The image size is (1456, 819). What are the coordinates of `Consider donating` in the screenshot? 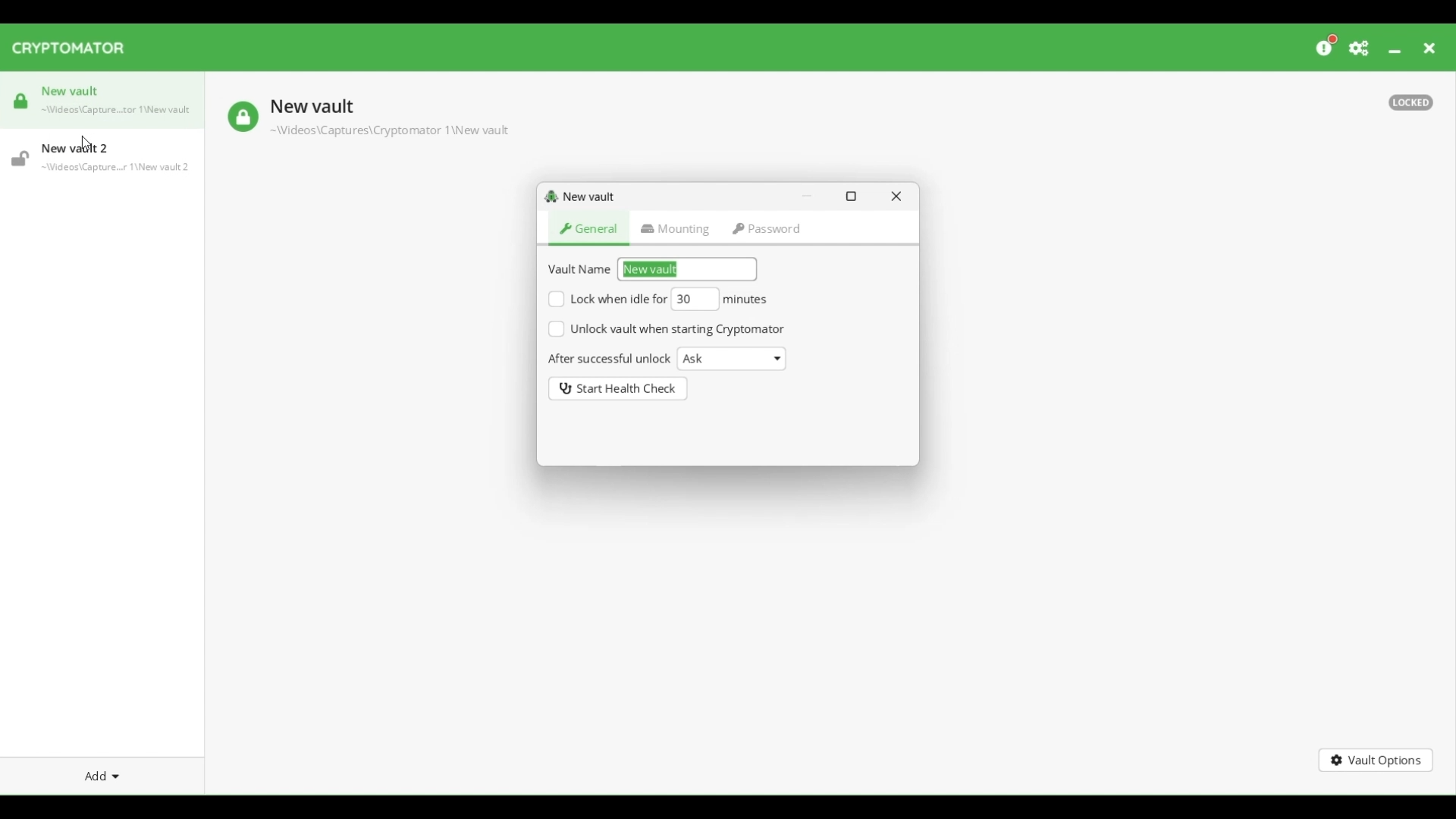 It's located at (1327, 45).